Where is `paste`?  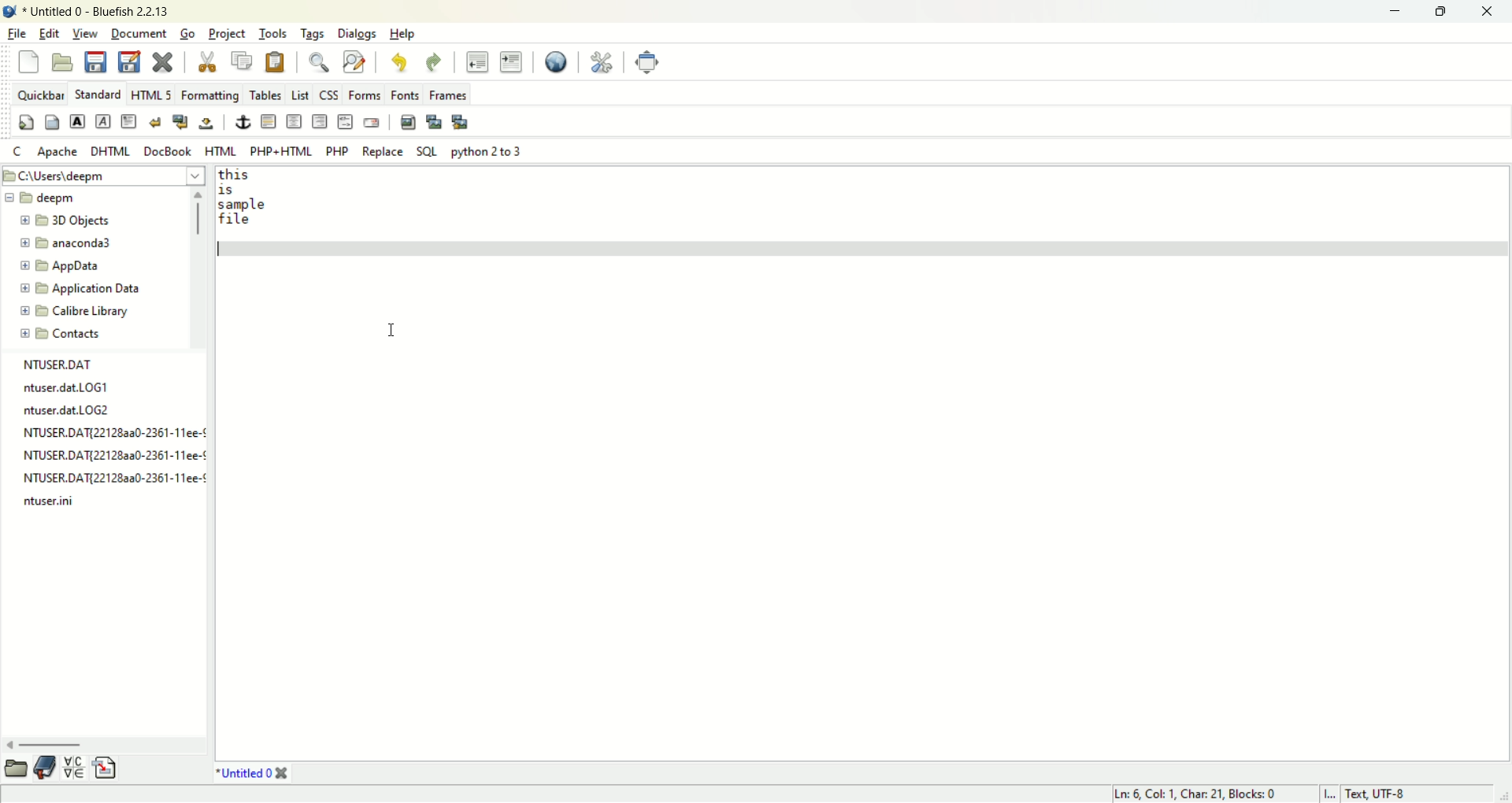 paste is located at coordinates (279, 61).